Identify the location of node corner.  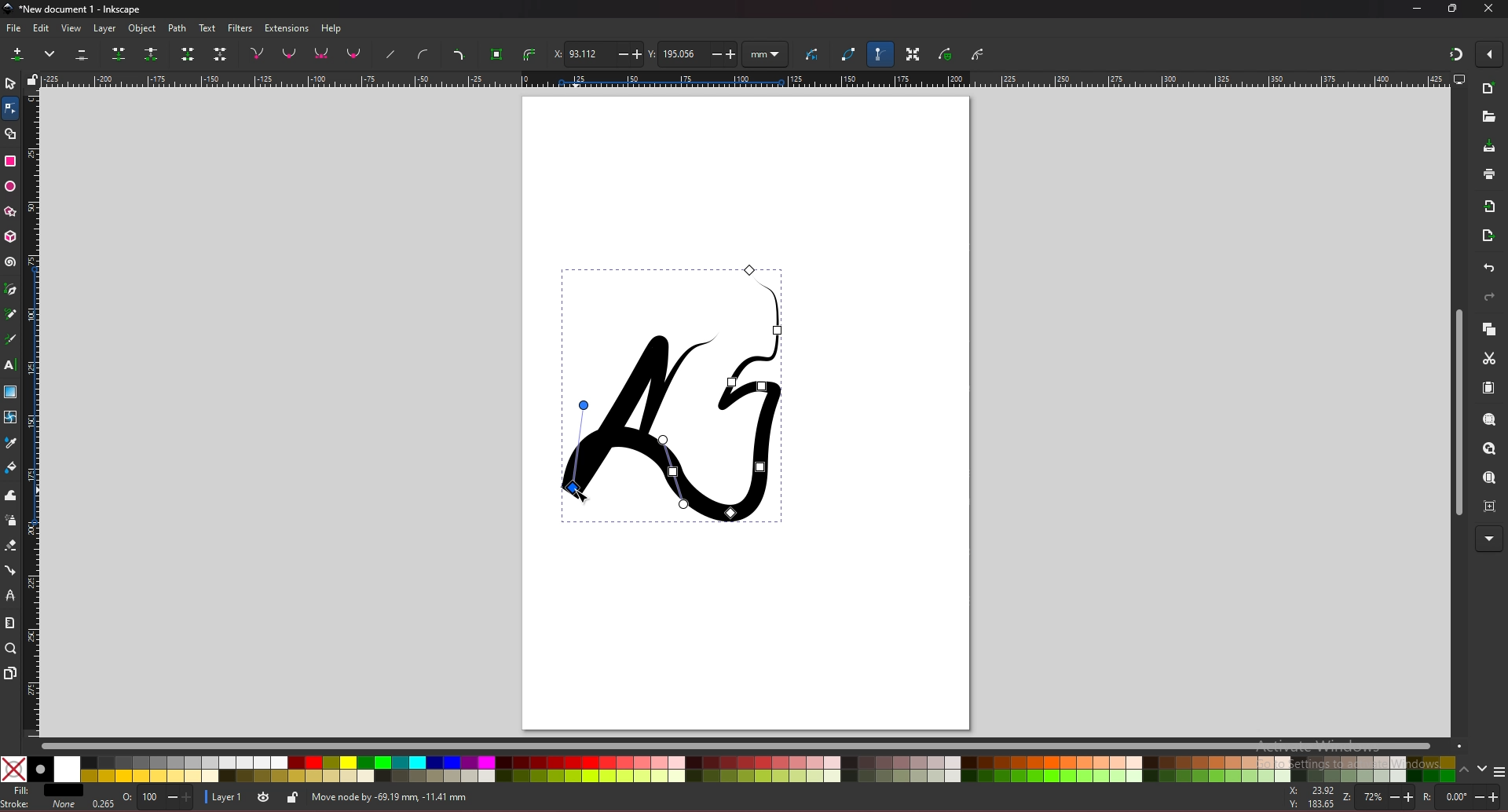
(257, 53).